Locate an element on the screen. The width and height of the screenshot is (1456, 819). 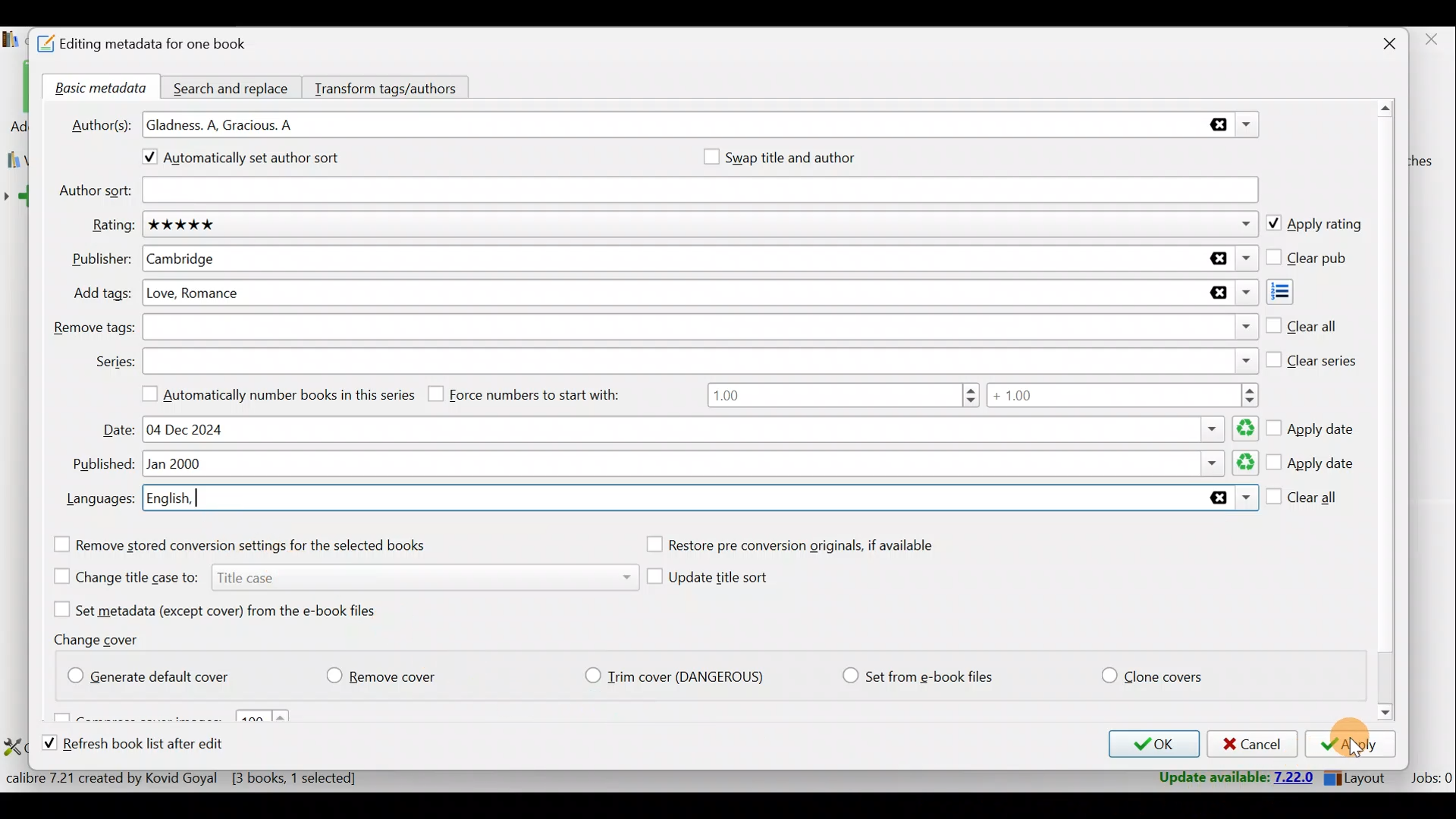
Author sort: is located at coordinates (93, 191).